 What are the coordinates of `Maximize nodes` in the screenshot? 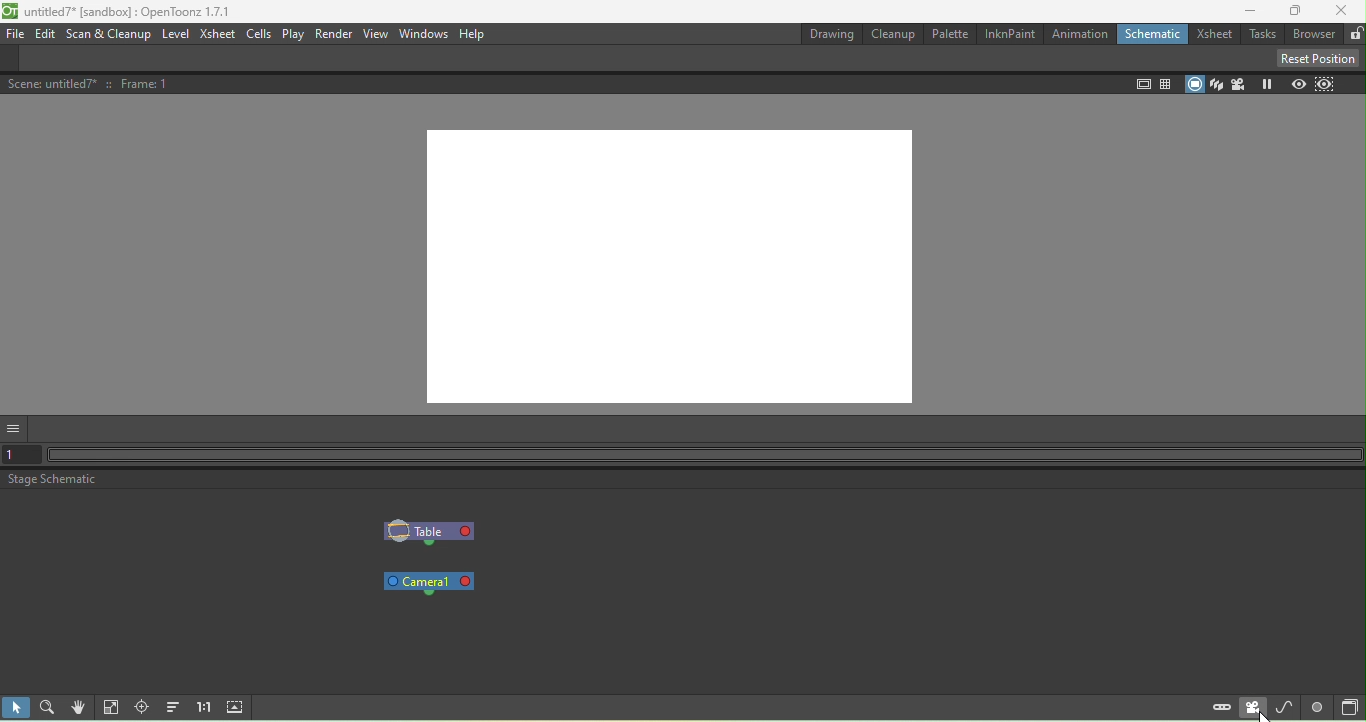 It's located at (239, 707).